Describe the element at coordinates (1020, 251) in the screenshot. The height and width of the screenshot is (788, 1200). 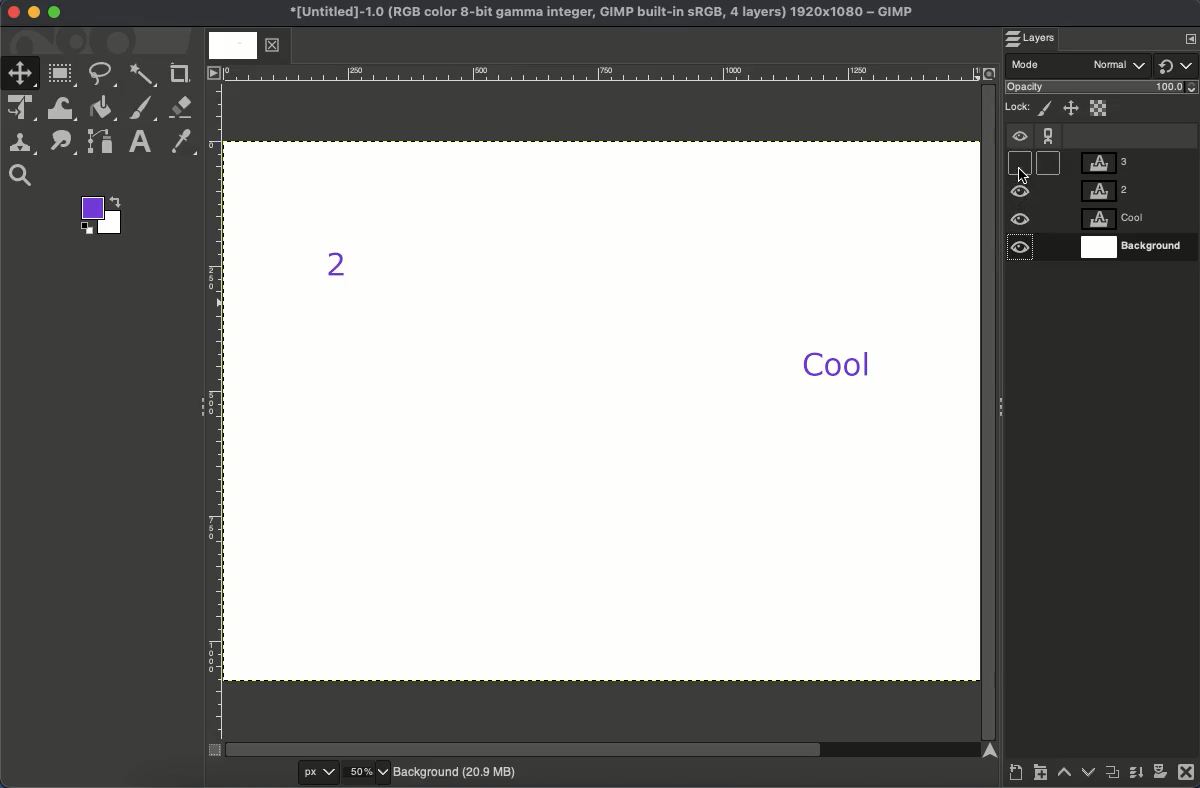
I see `Visible` at that location.